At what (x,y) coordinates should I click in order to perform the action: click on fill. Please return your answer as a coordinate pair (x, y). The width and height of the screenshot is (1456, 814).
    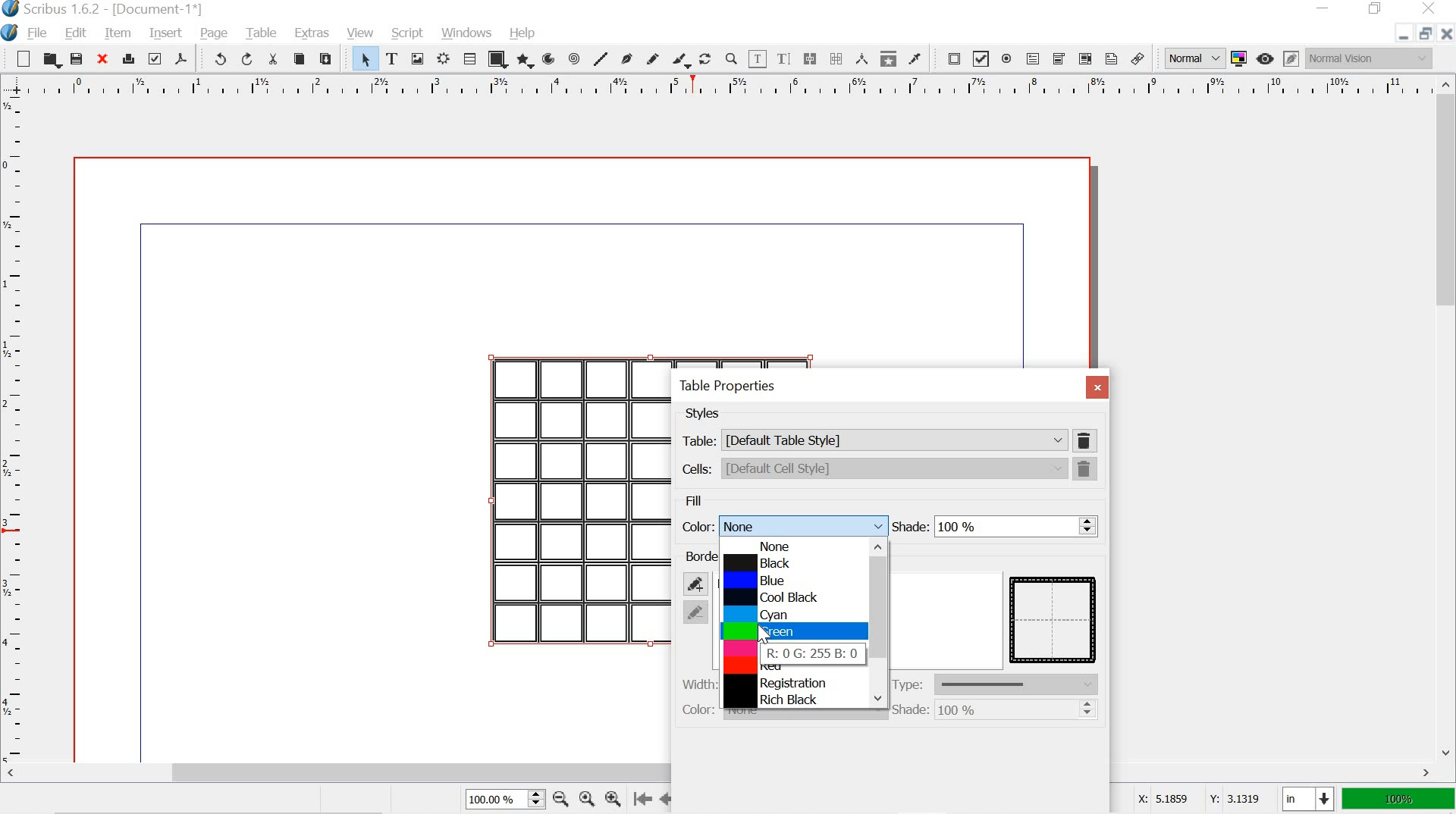
    Looking at the image, I should click on (695, 499).